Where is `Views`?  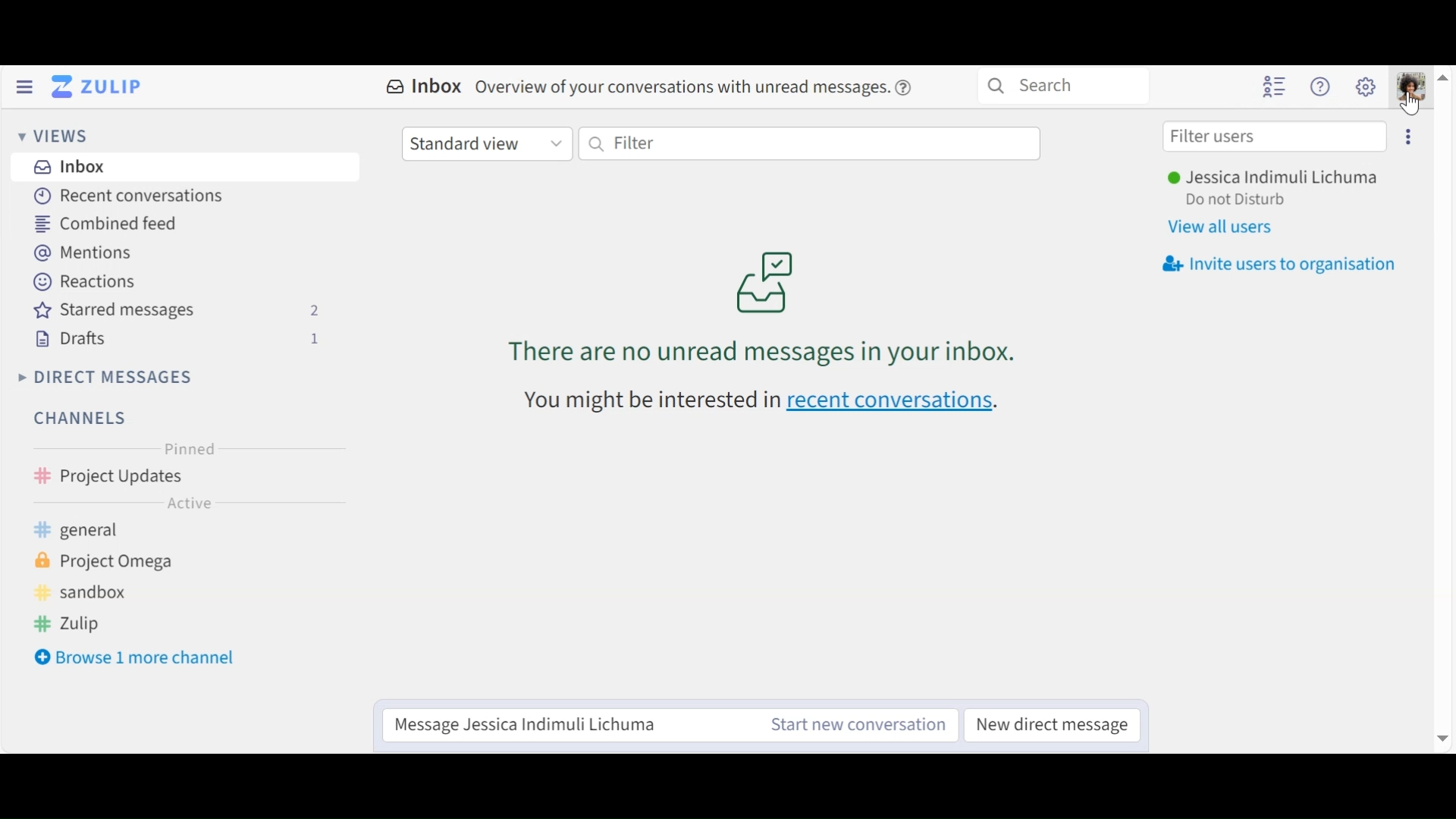 Views is located at coordinates (54, 136).